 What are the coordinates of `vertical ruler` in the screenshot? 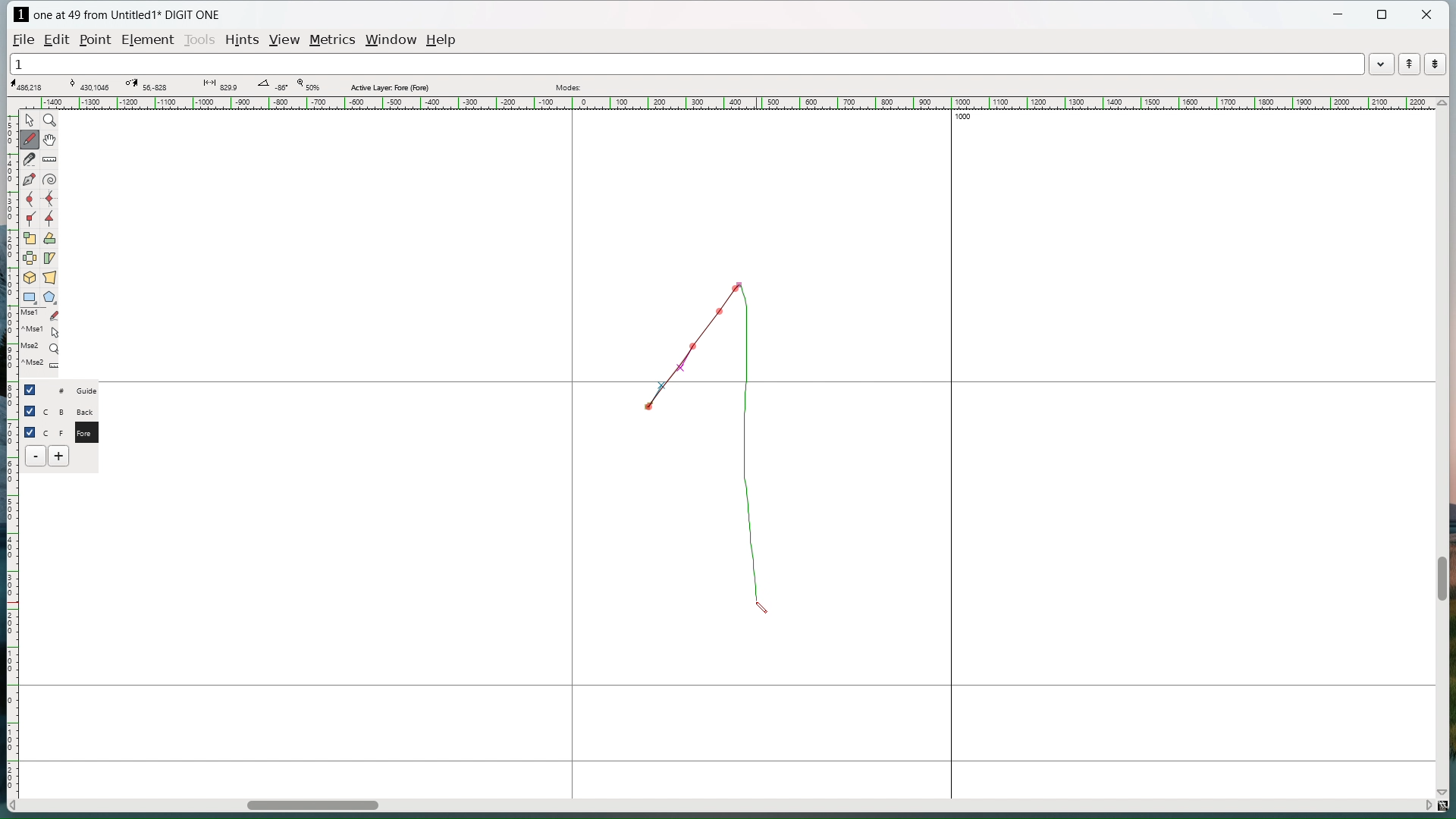 It's located at (11, 446).